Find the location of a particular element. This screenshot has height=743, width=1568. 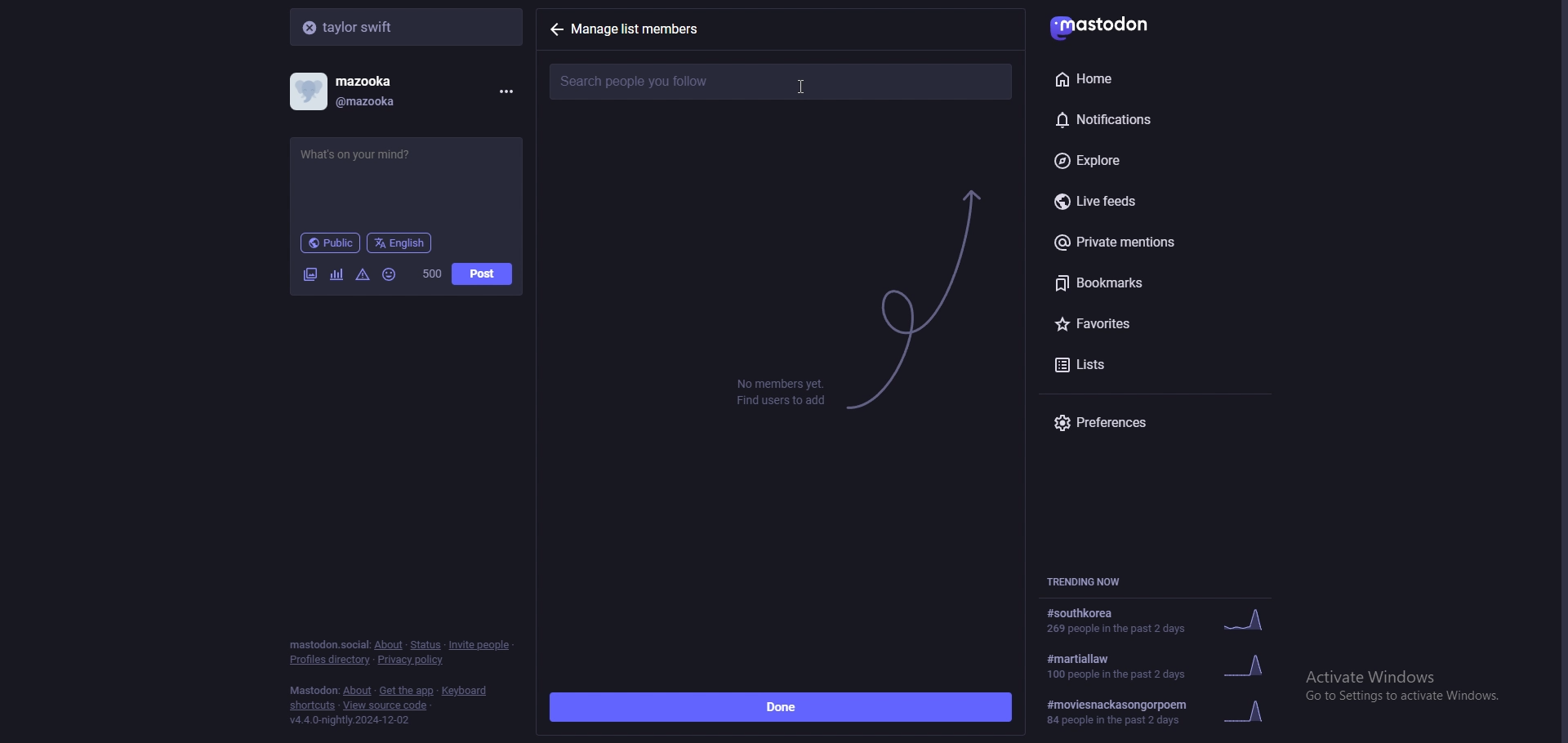

post is located at coordinates (482, 274).